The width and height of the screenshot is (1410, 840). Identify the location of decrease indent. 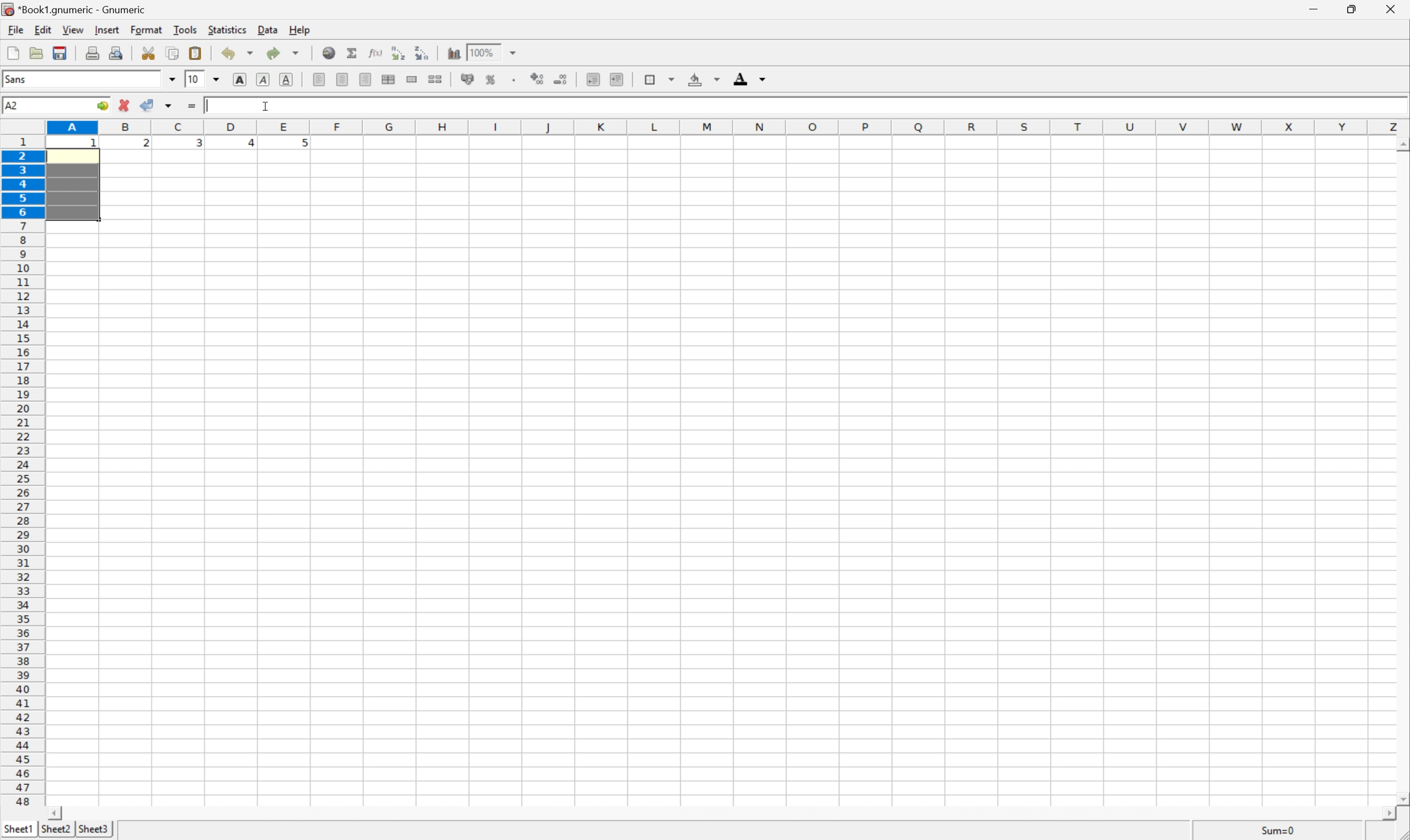
(593, 80).